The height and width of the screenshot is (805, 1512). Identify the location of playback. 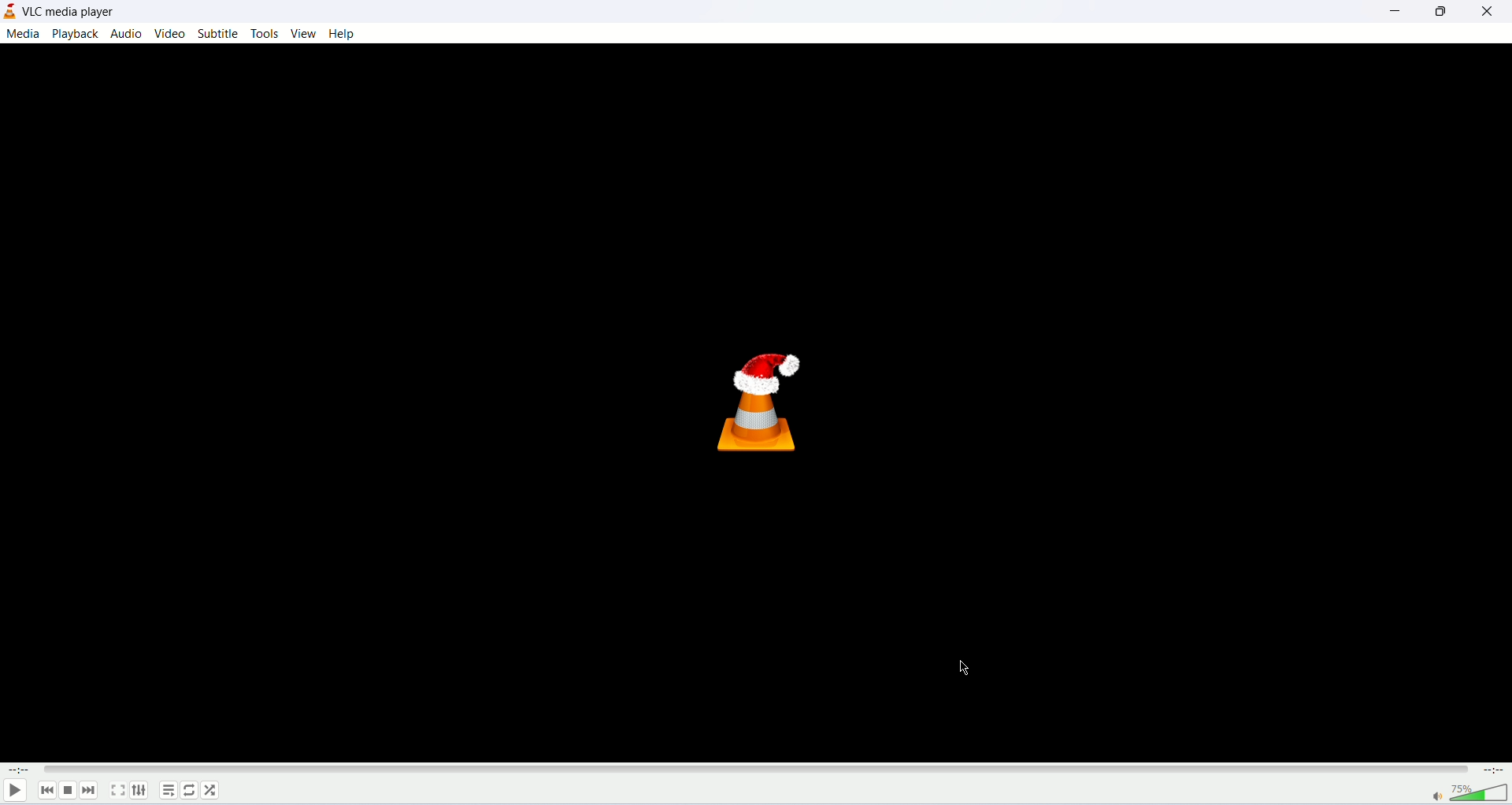
(78, 34).